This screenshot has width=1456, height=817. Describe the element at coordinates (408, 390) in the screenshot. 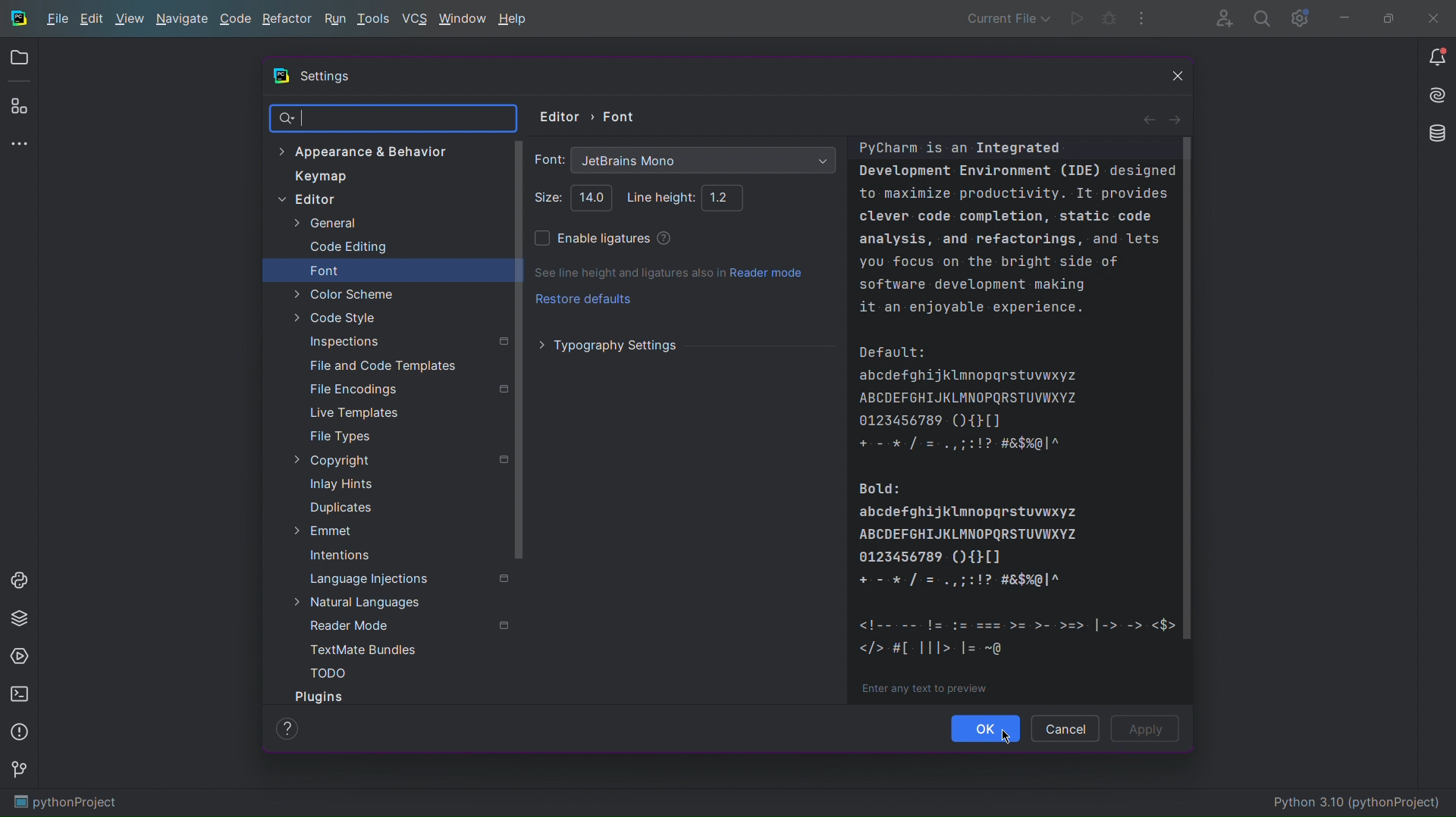

I see `File Encodings` at that location.